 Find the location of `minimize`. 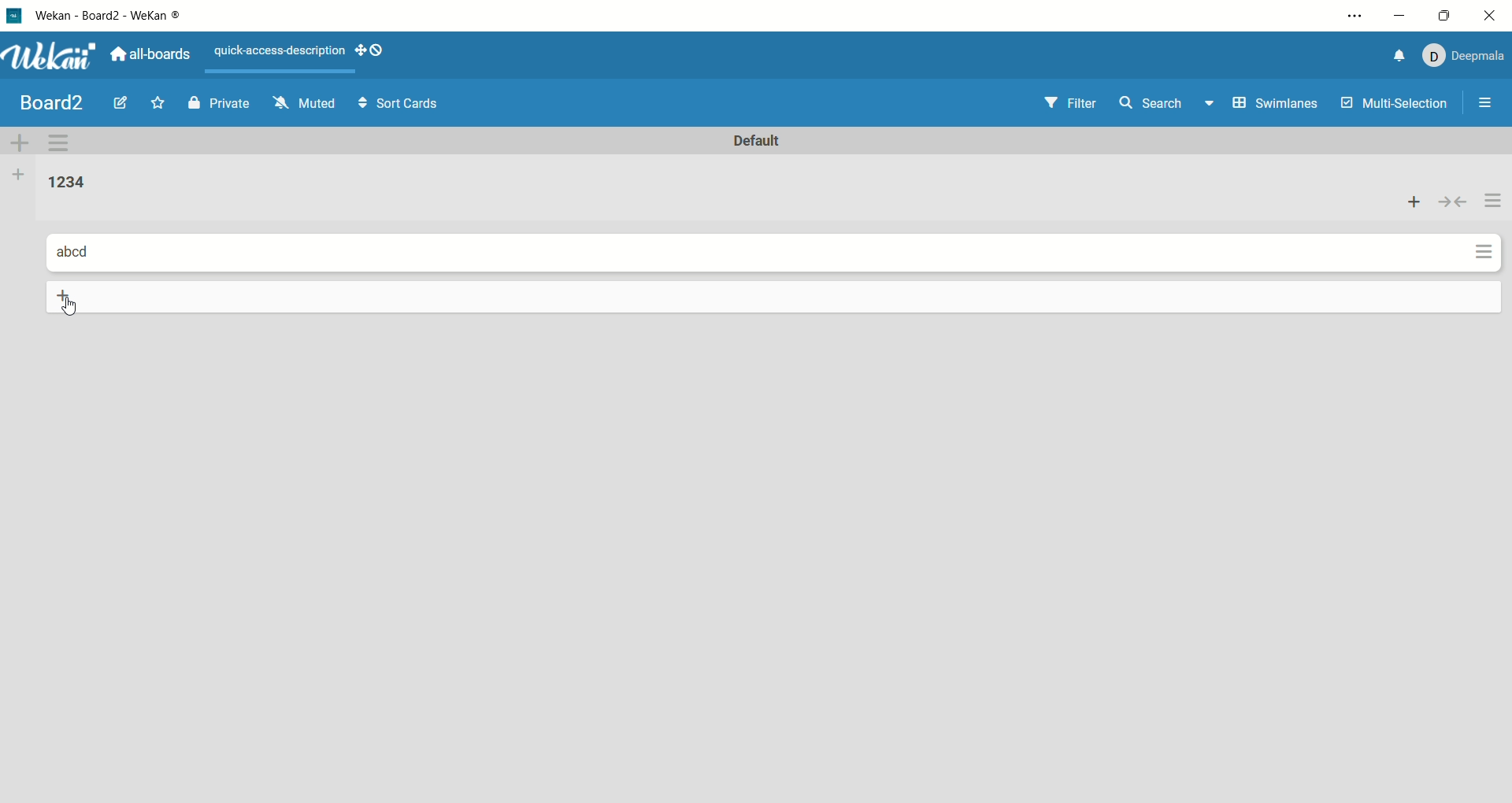

minimize is located at coordinates (1397, 18).